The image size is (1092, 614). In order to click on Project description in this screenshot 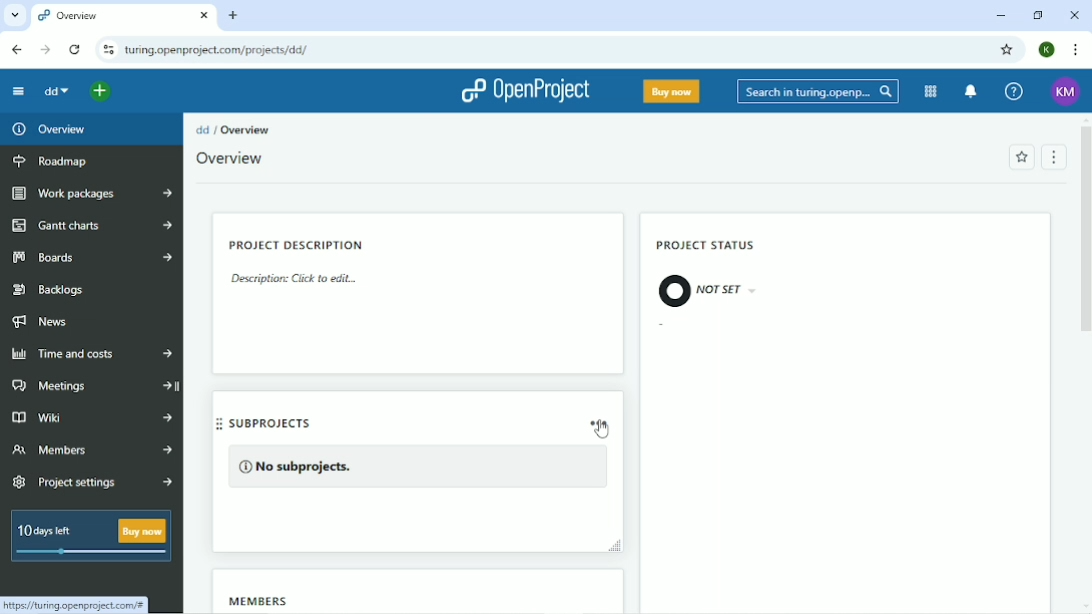, I will do `click(298, 243)`.